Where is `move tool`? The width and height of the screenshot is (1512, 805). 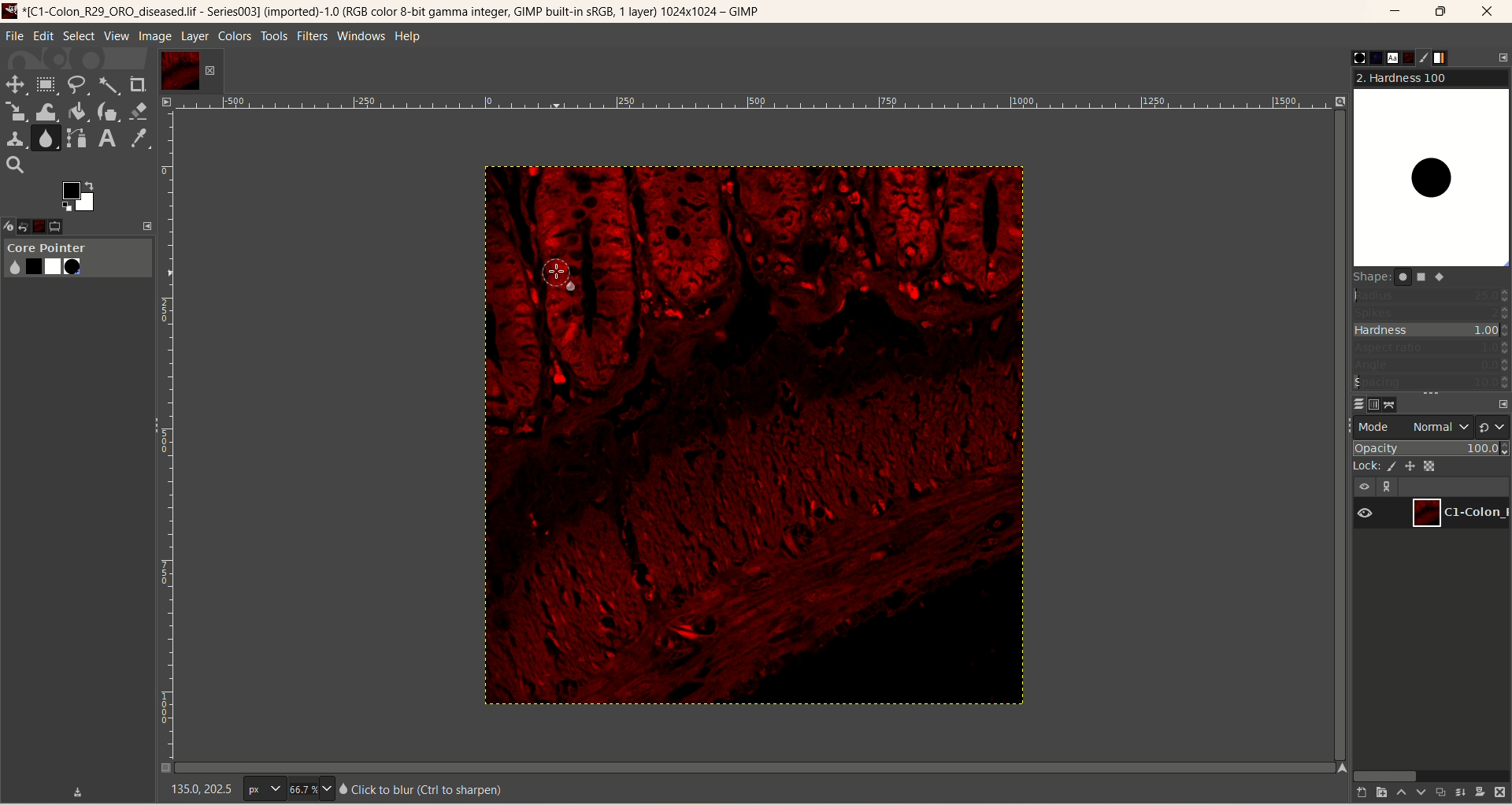 move tool is located at coordinates (13, 83).